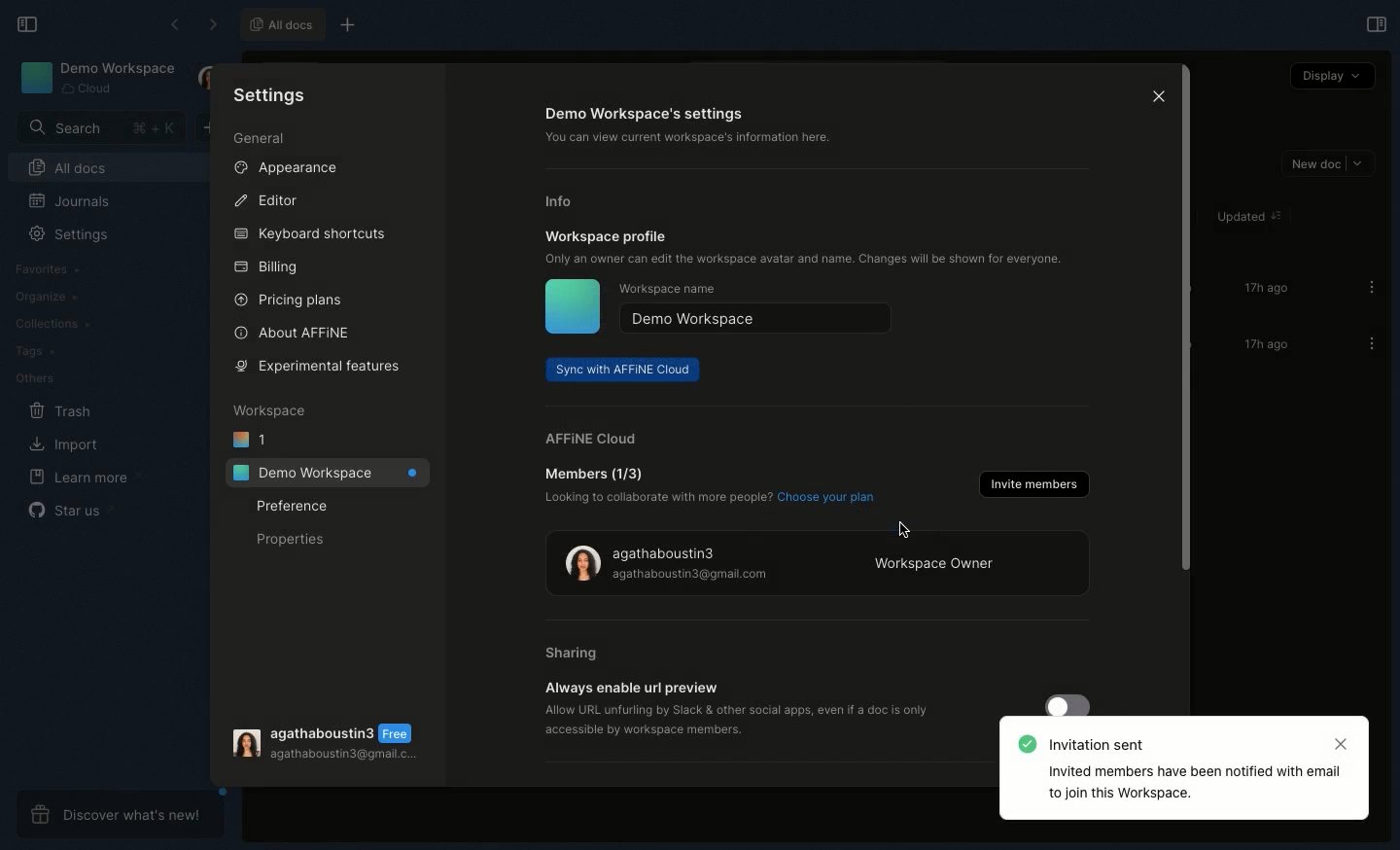 The width and height of the screenshot is (1400, 850). Describe the element at coordinates (295, 507) in the screenshot. I see `Preference` at that location.